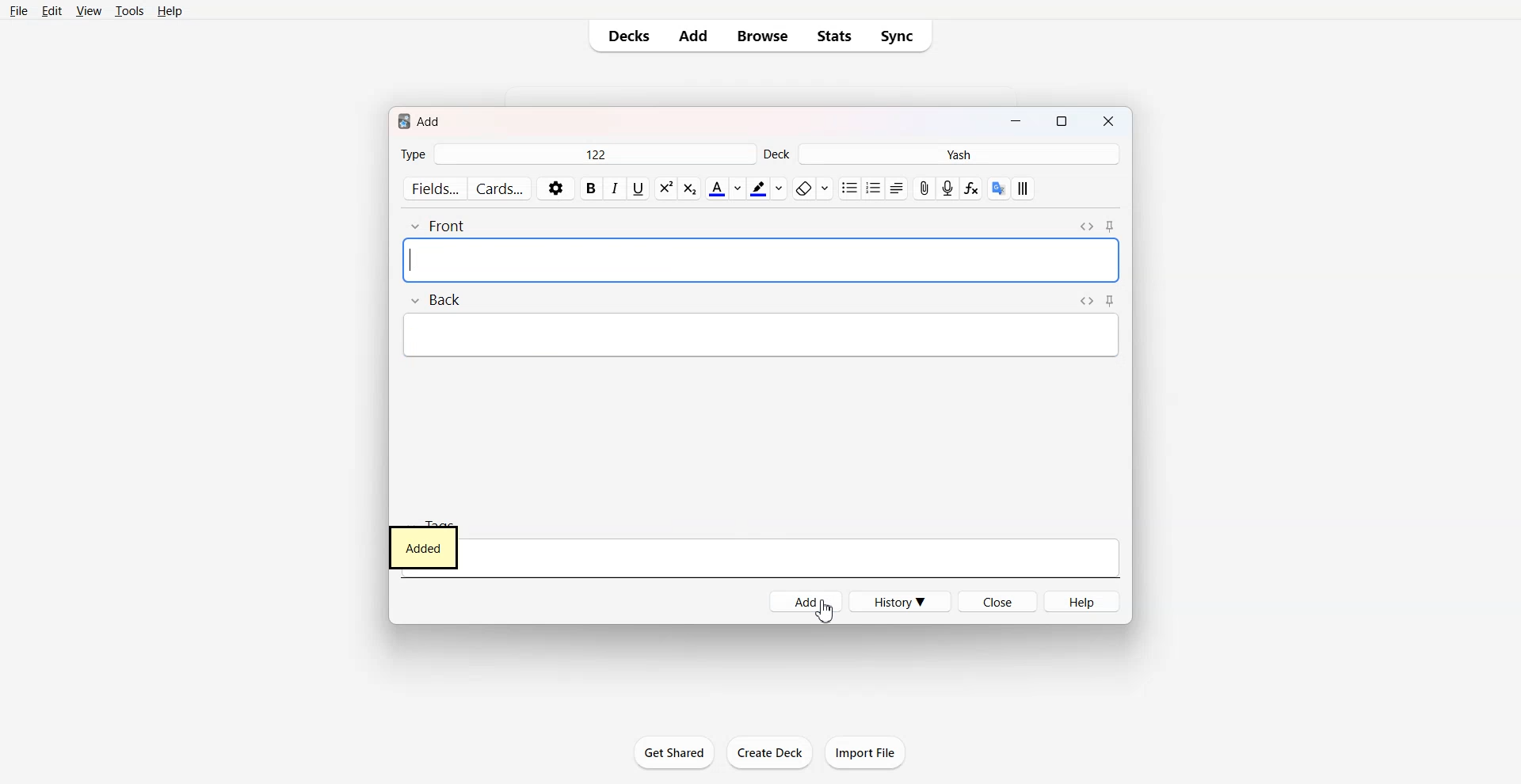 Image resolution: width=1521 pixels, height=784 pixels. What do you see at coordinates (693, 36) in the screenshot?
I see `Add` at bounding box center [693, 36].